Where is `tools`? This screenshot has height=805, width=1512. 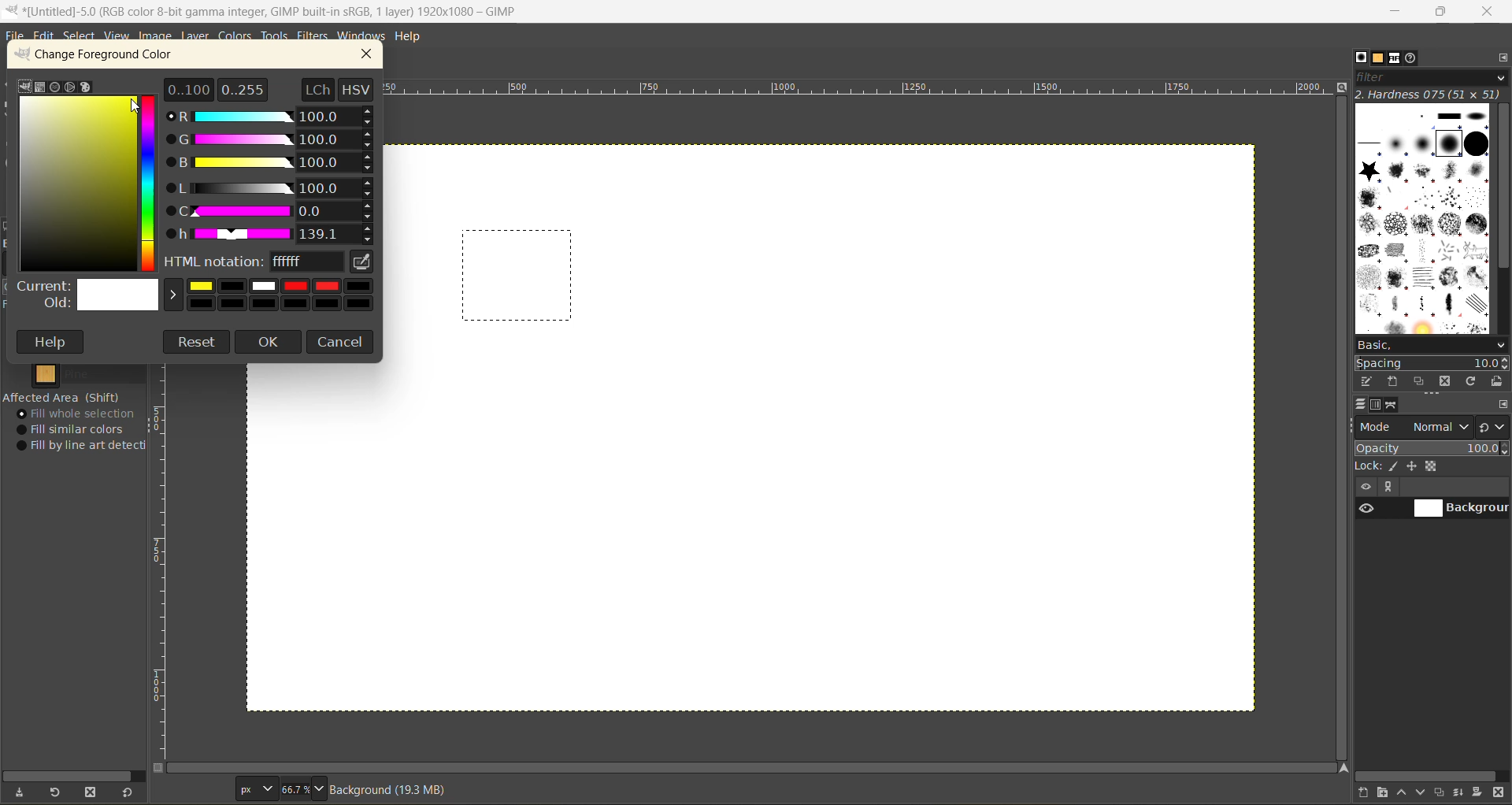 tools is located at coordinates (276, 37).